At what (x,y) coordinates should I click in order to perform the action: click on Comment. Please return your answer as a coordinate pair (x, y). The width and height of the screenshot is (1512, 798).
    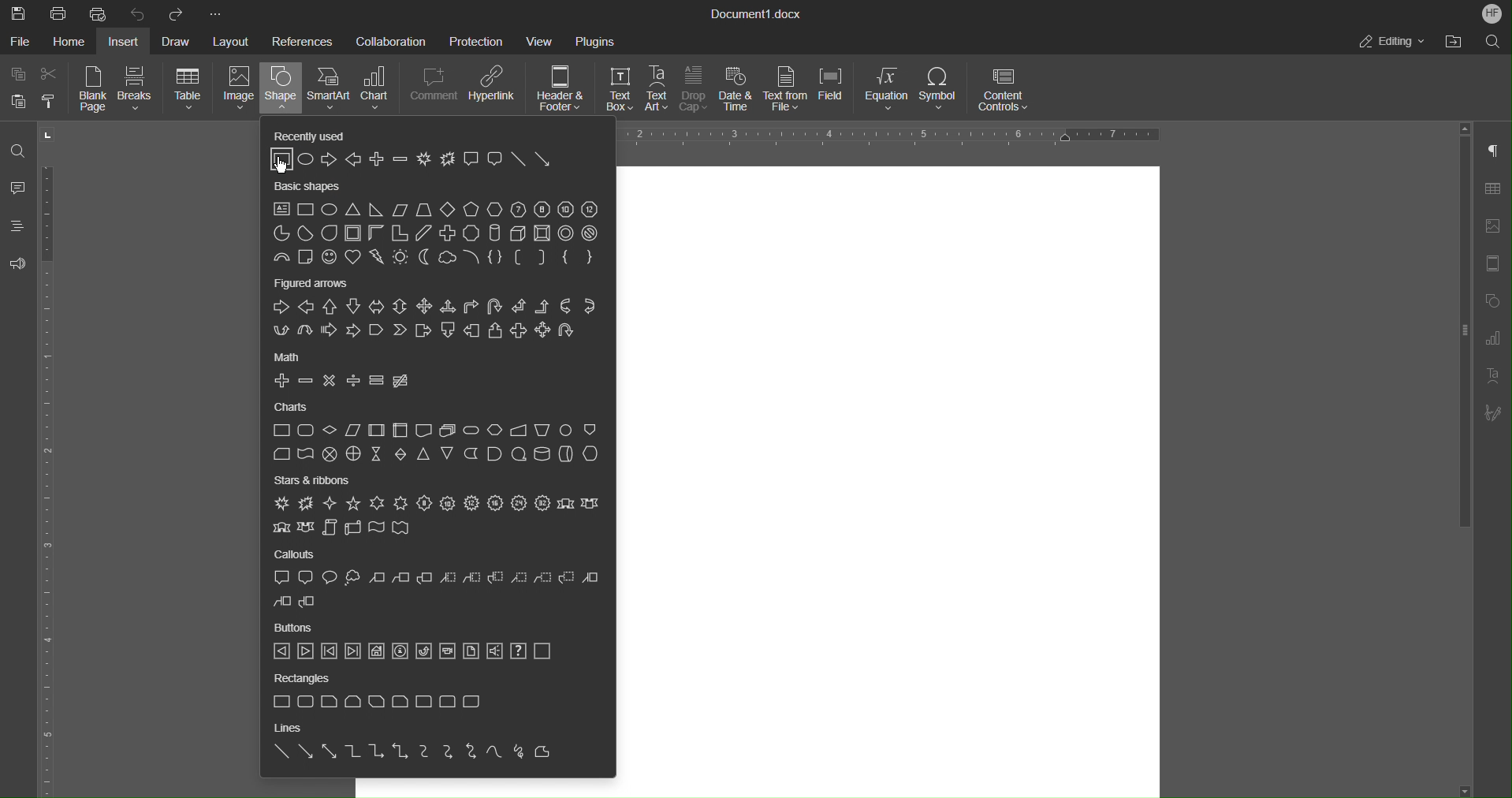
    Looking at the image, I should click on (435, 91).